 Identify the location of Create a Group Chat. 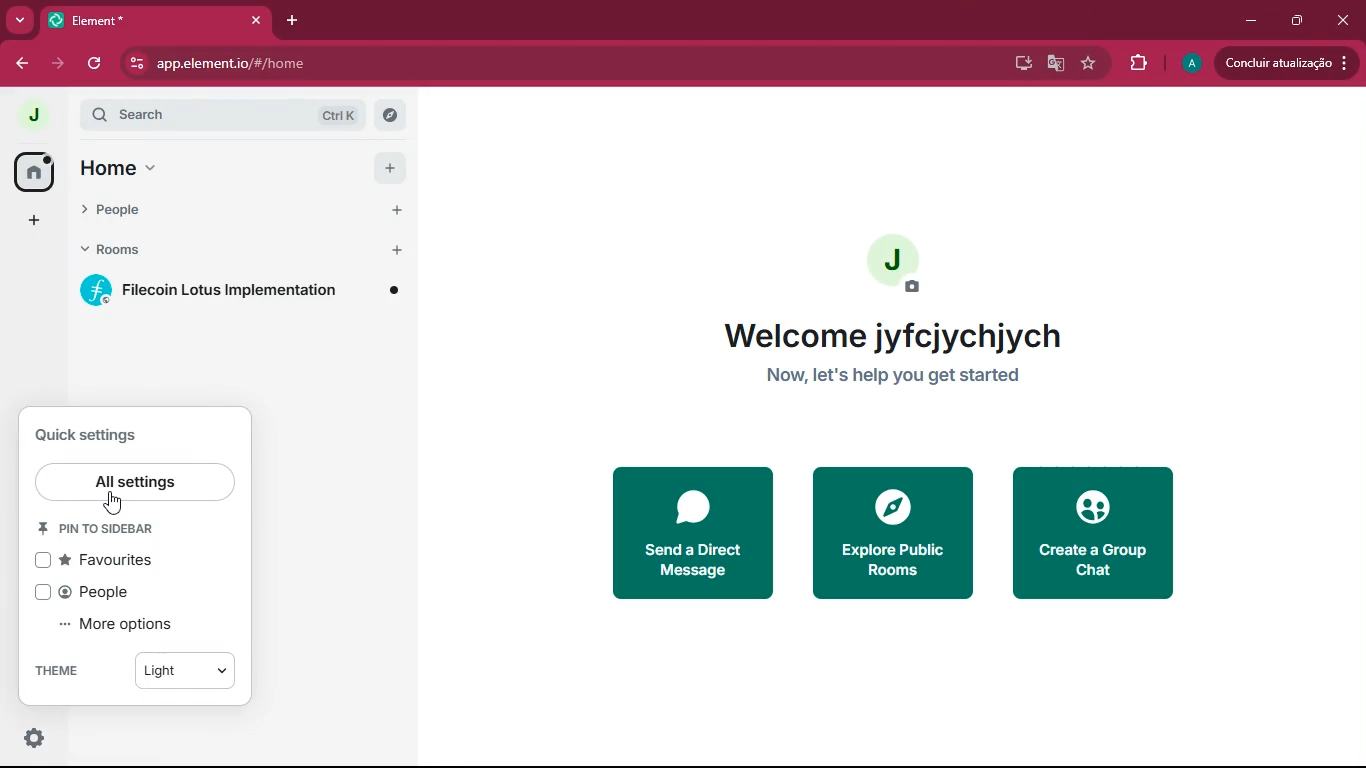
(1104, 532).